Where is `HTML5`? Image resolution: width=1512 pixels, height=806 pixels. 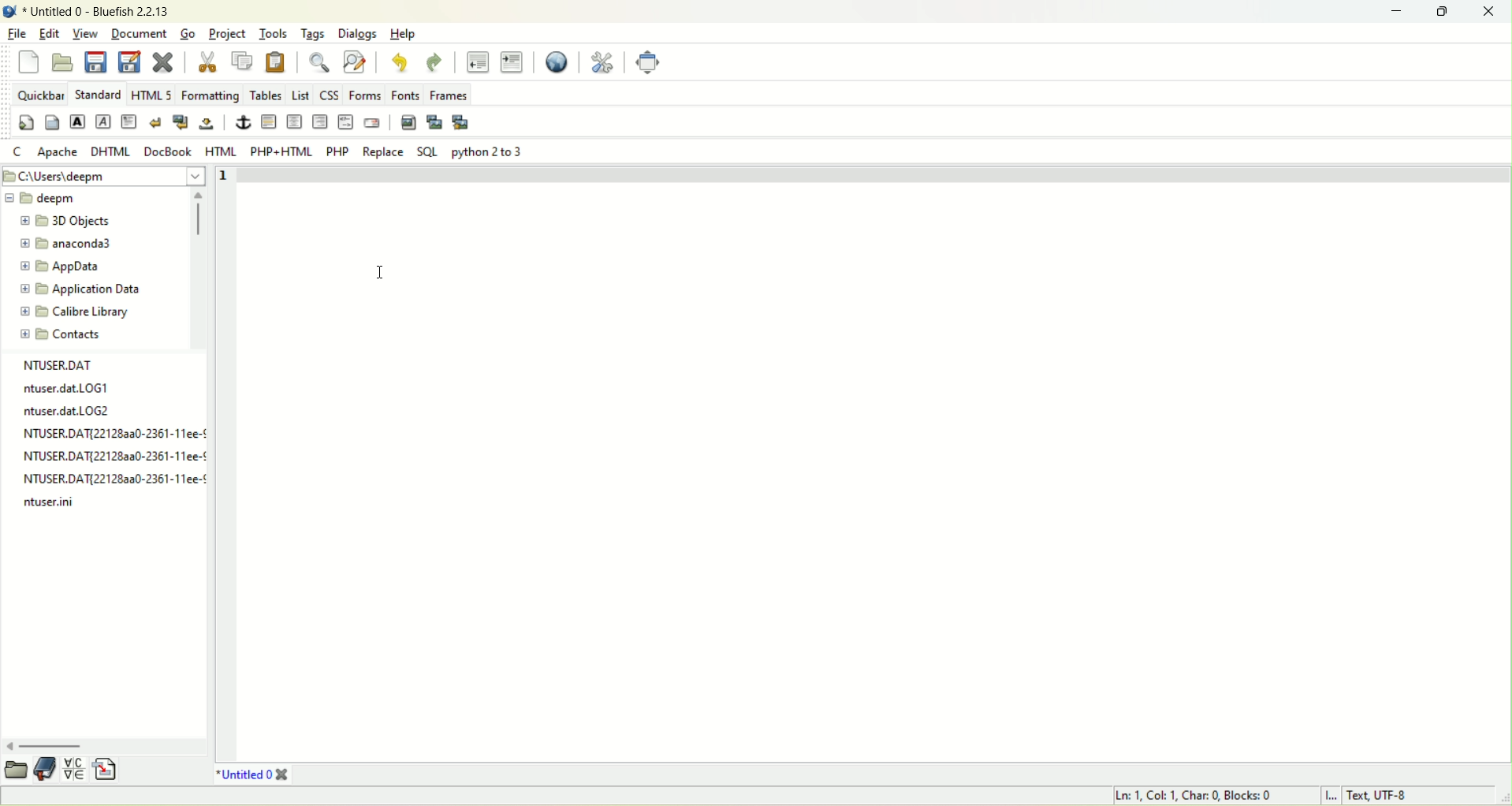 HTML5 is located at coordinates (151, 94).